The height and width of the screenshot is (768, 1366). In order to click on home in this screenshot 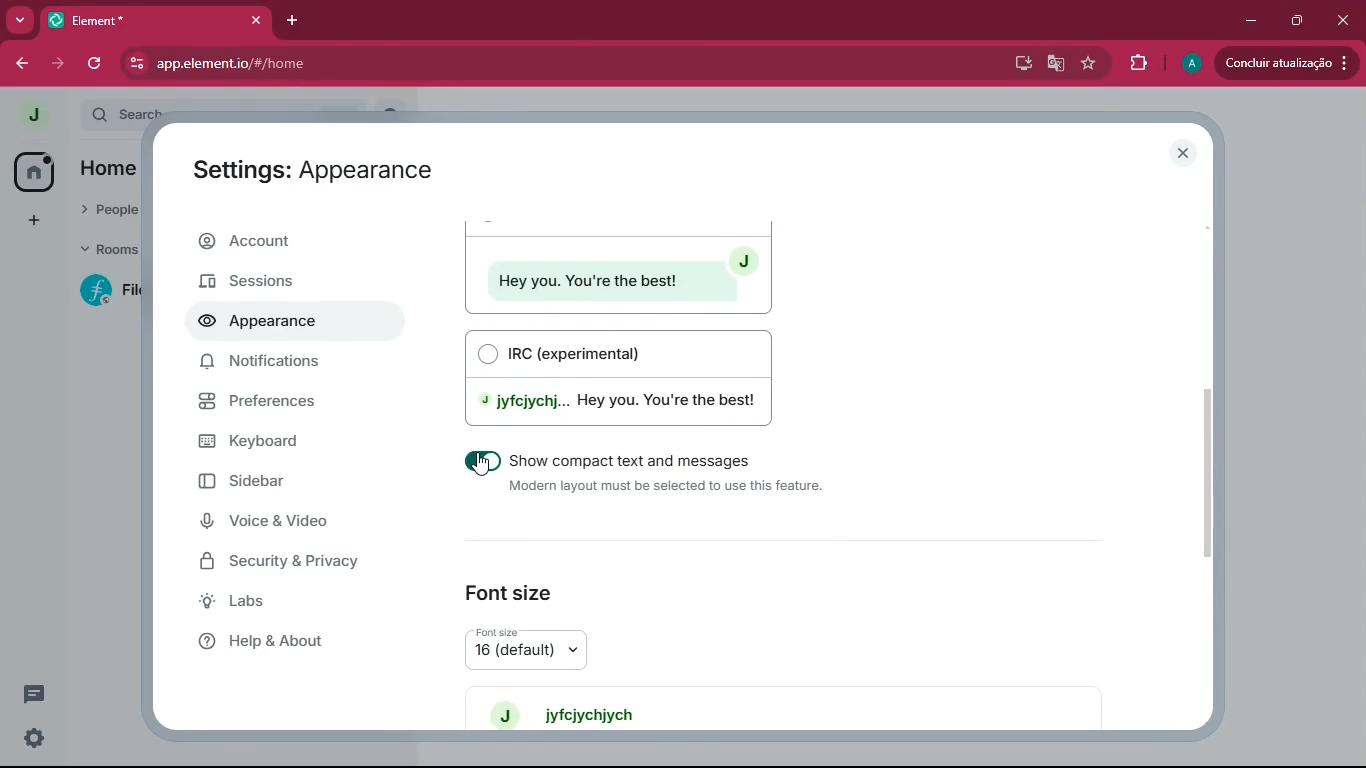, I will do `click(33, 171)`.